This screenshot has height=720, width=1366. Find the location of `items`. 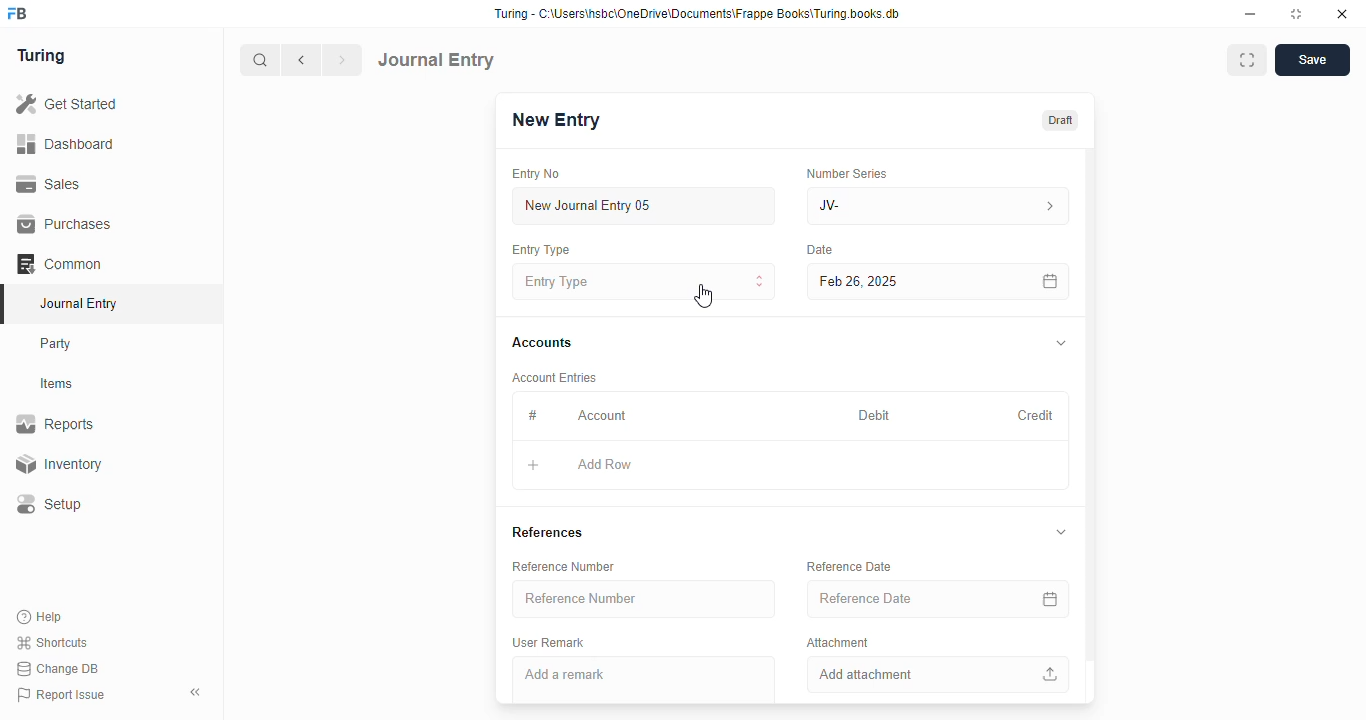

items is located at coordinates (59, 384).